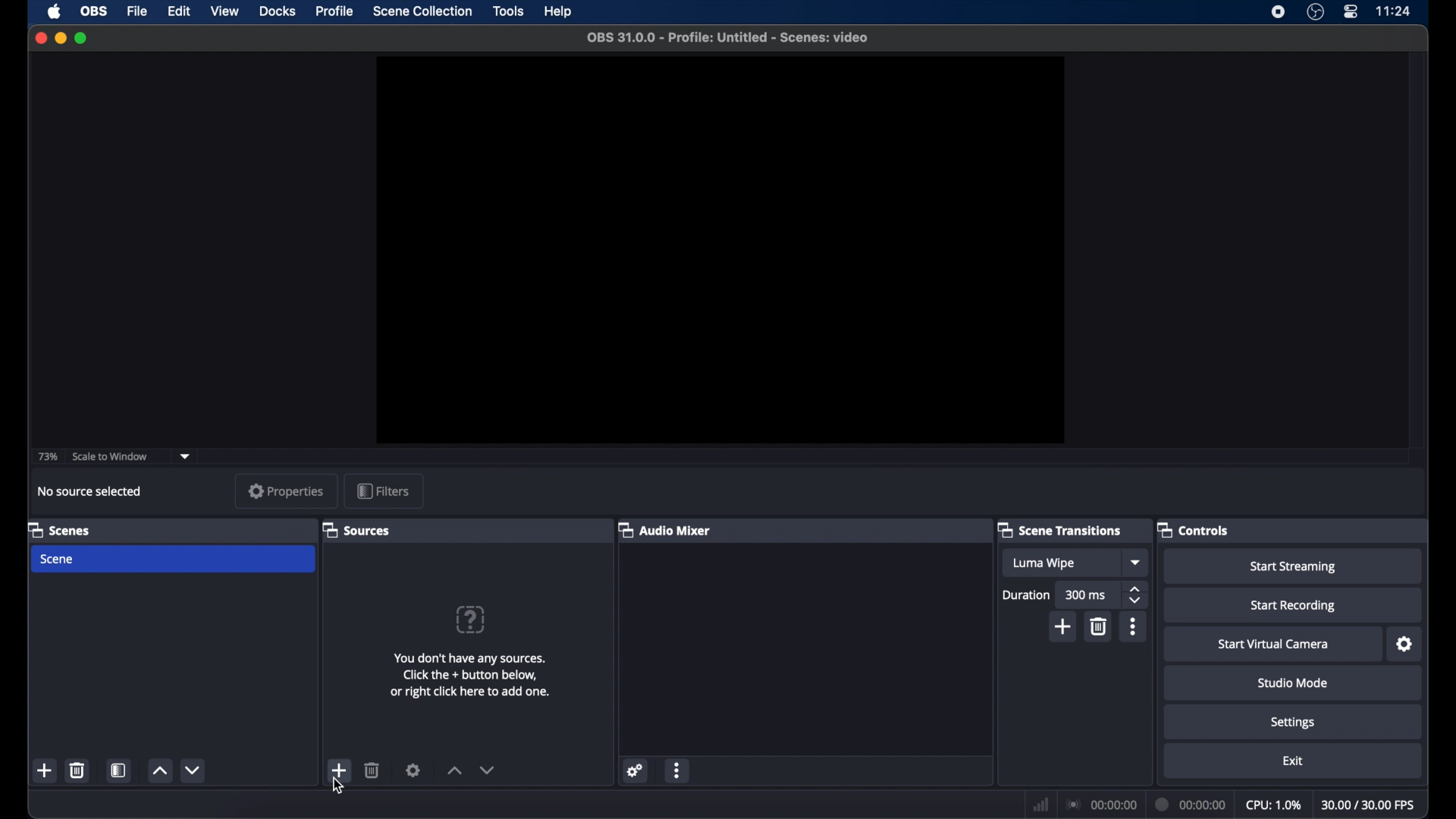 The width and height of the screenshot is (1456, 819). Describe the element at coordinates (59, 560) in the screenshot. I see `scene` at that location.